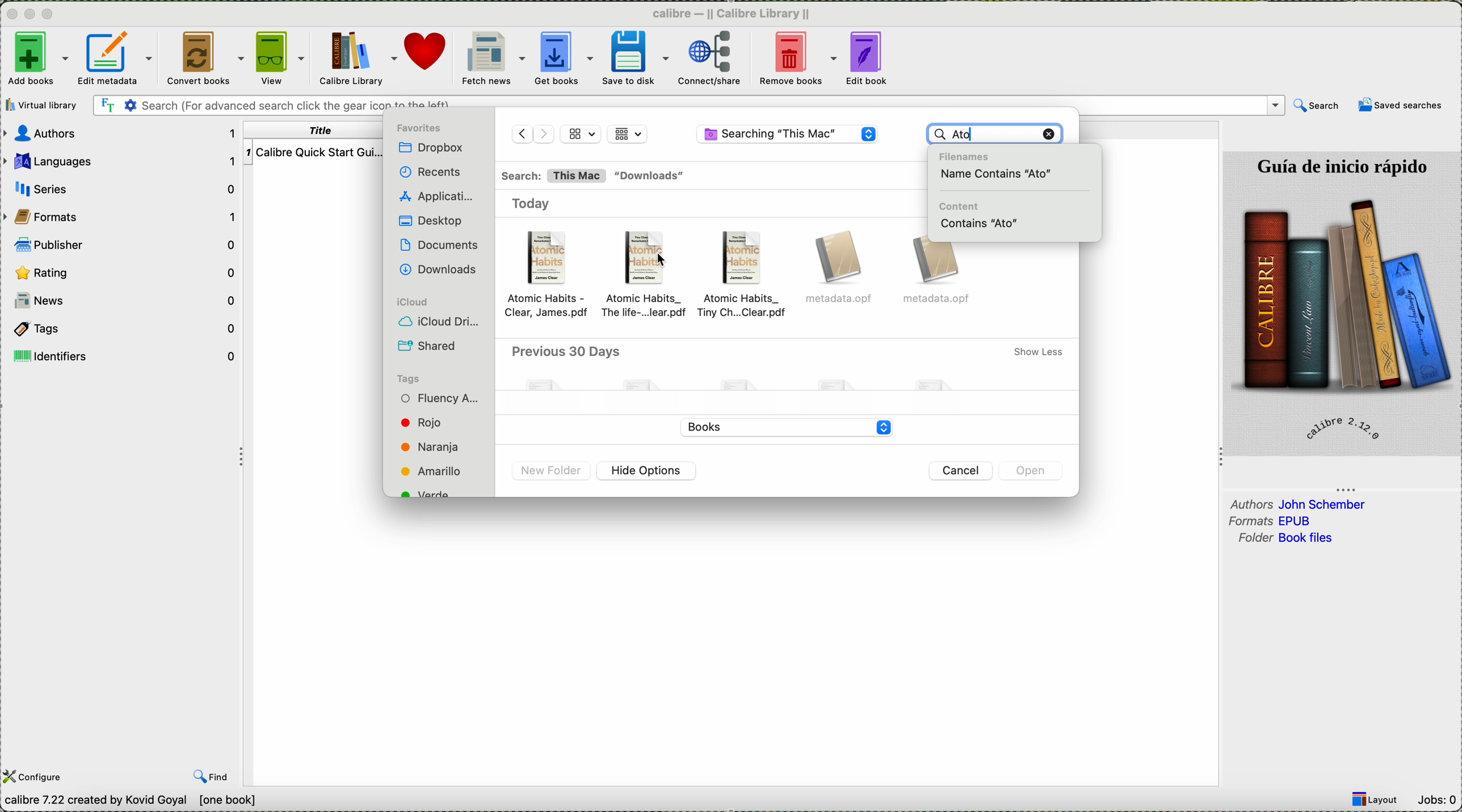  I want to click on edit metadata, so click(118, 57).